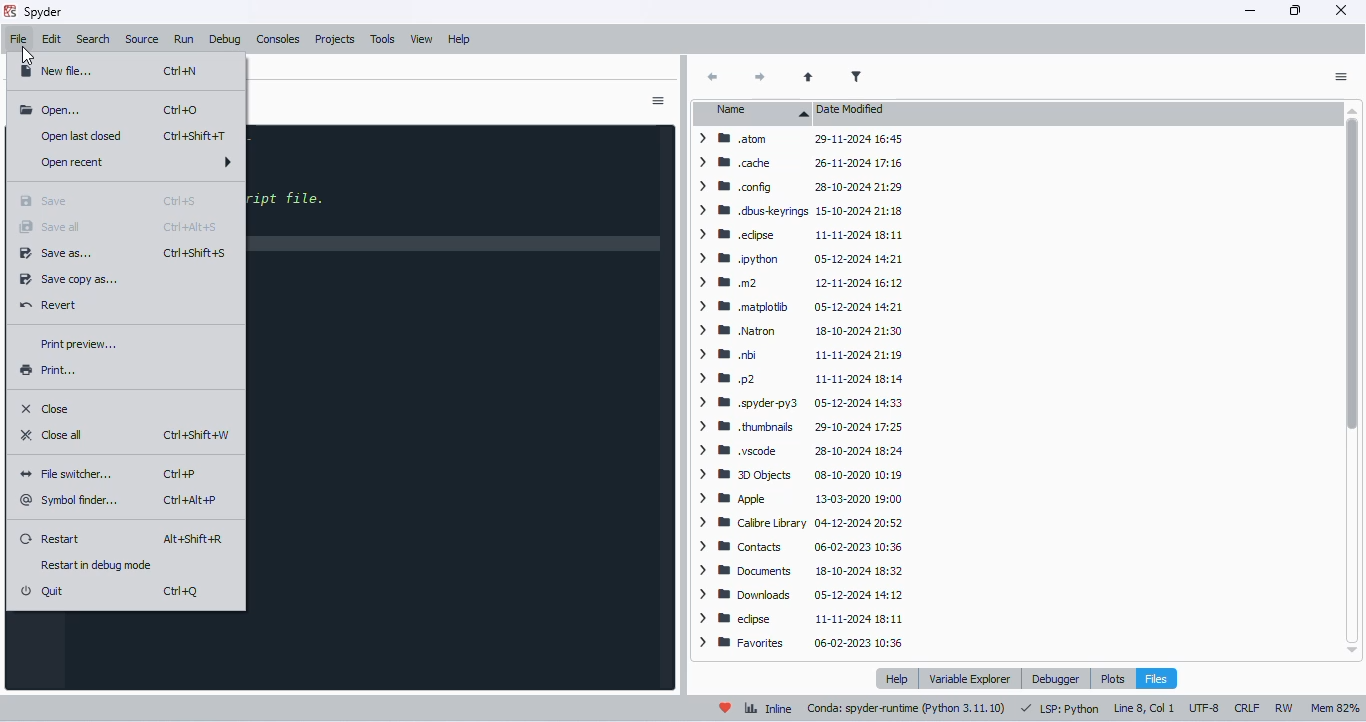 The height and width of the screenshot is (722, 1366). Describe the element at coordinates (225, 40) in the screenshot. I see `debug` at that location.